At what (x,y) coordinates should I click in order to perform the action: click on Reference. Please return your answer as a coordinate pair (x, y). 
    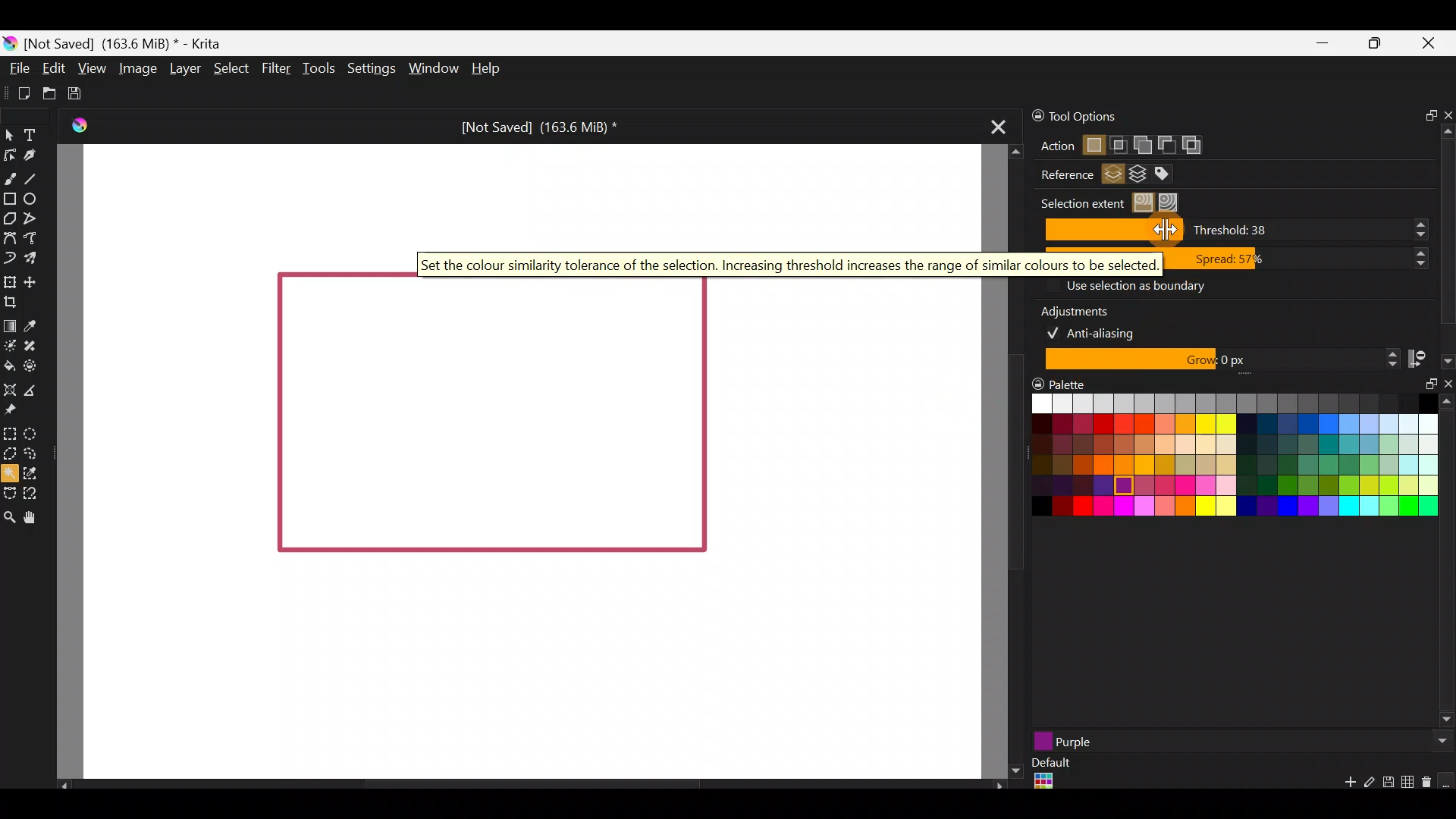
    Looking at the image, I should click on (1061, 175).